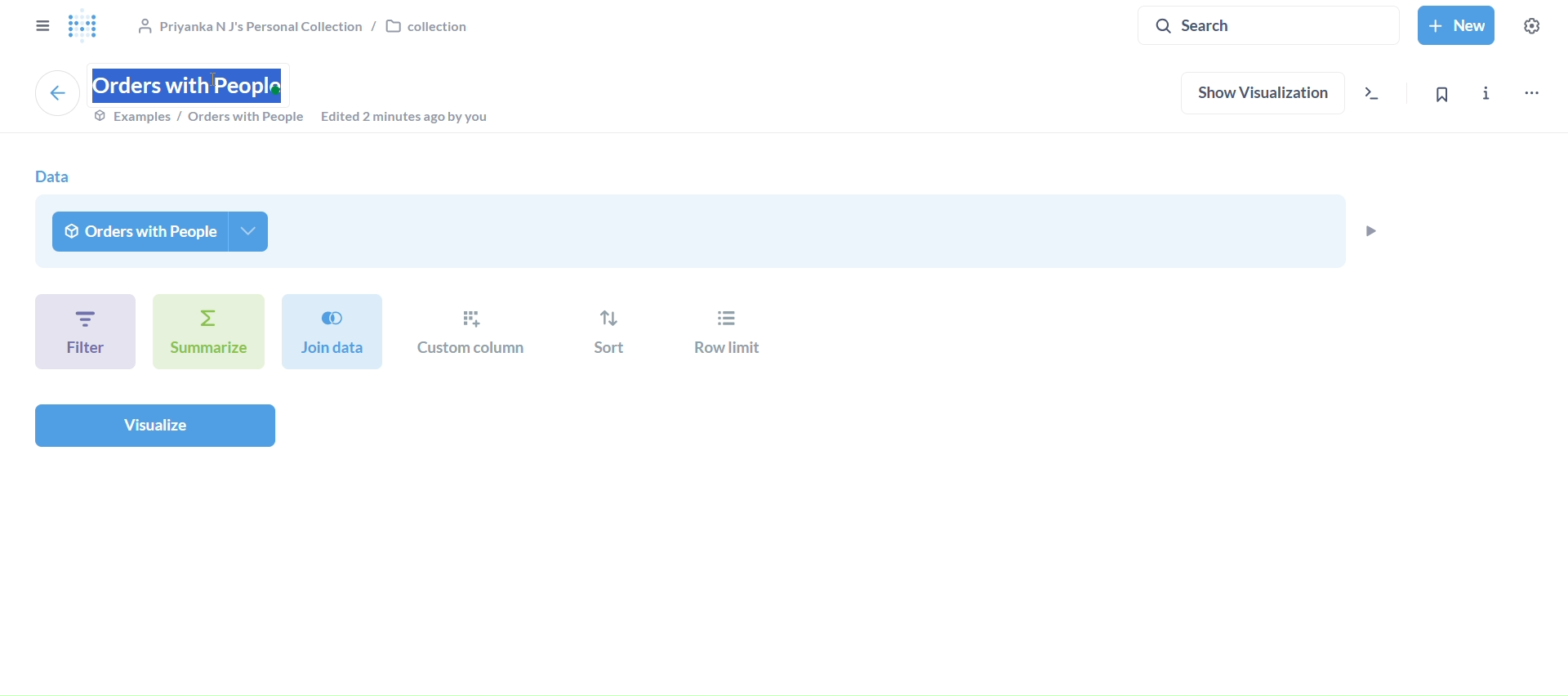 The width and height of the screenshot is (1568, 696). I want to click on row limit, so click(722, 334).